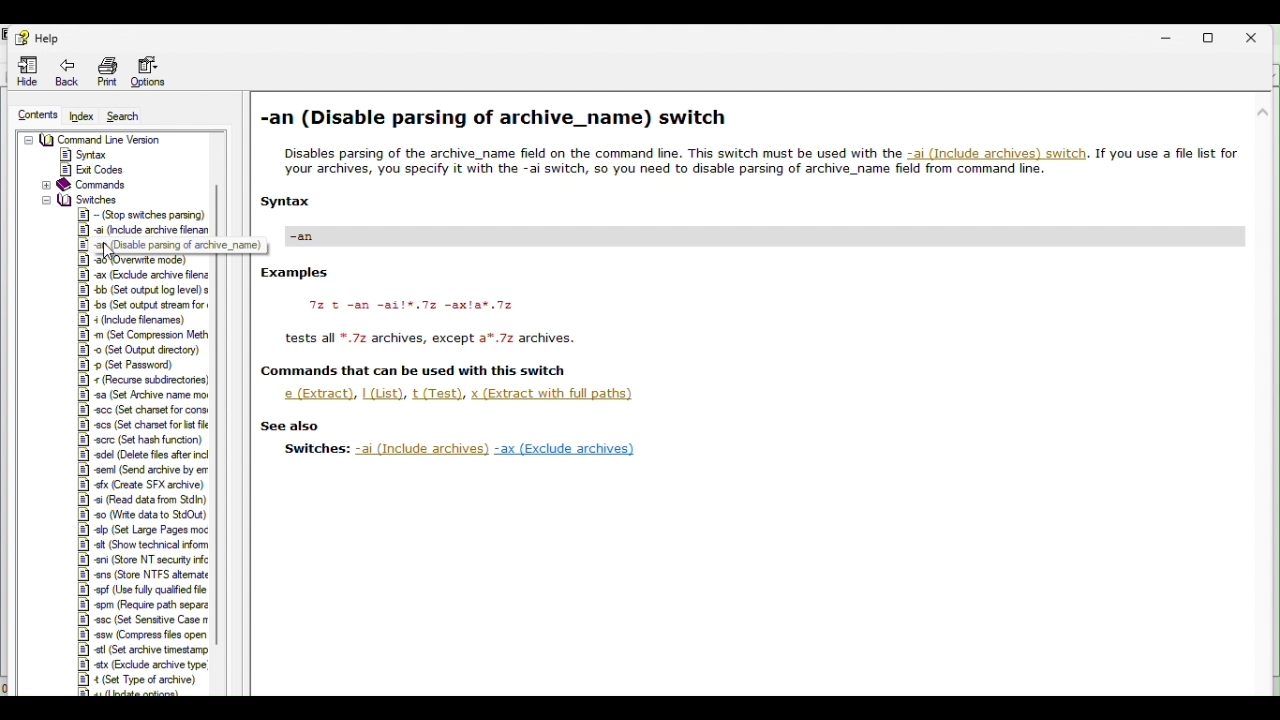 The image size is (1280, 720). I want to click on Examples, so click(297, 273).